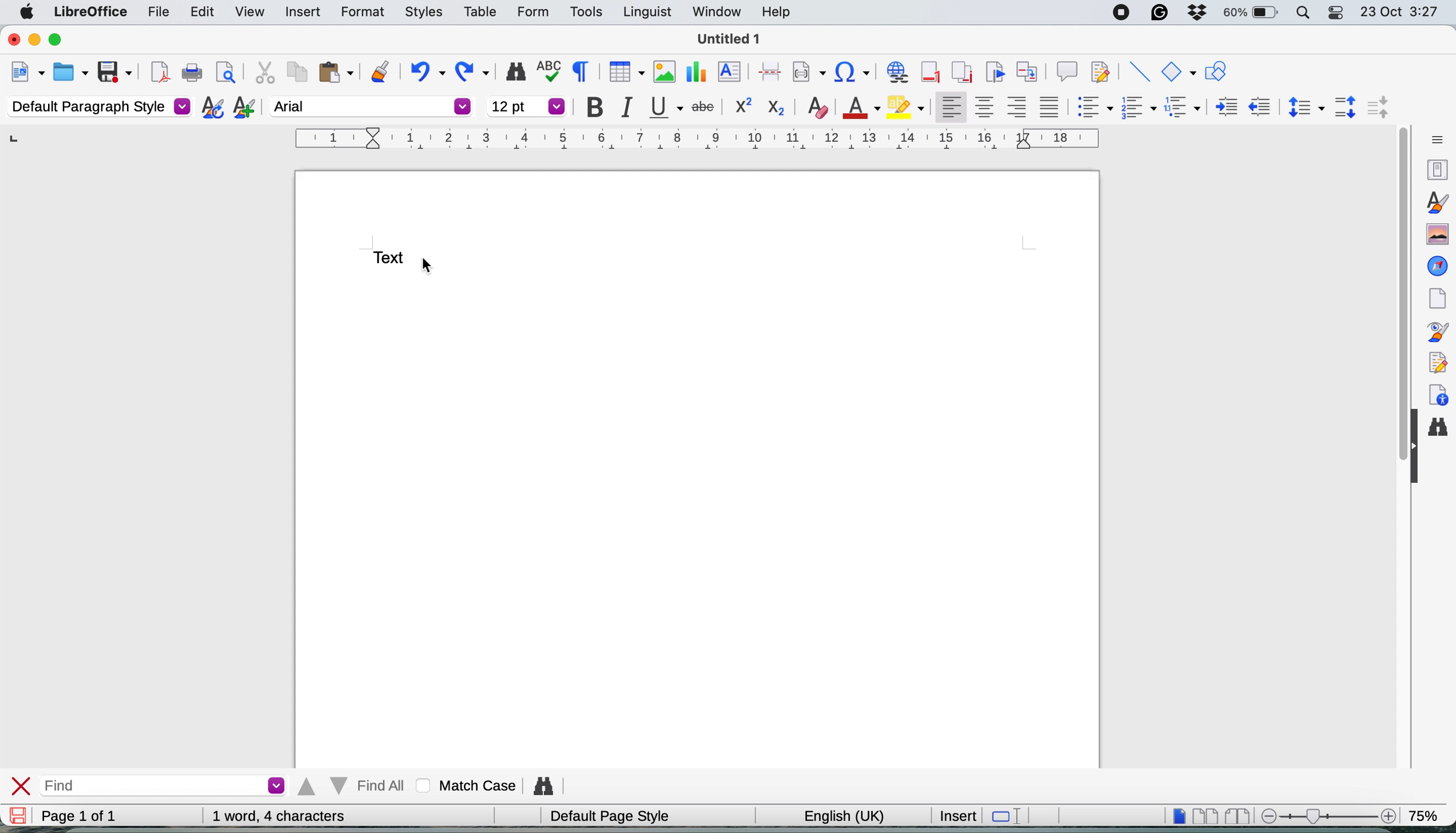 Image resolution: width=1456 pixels, height=833 pixels. Describe the element at coordinates (1139, 72) in the screenshot. I see `insert line` at that location.